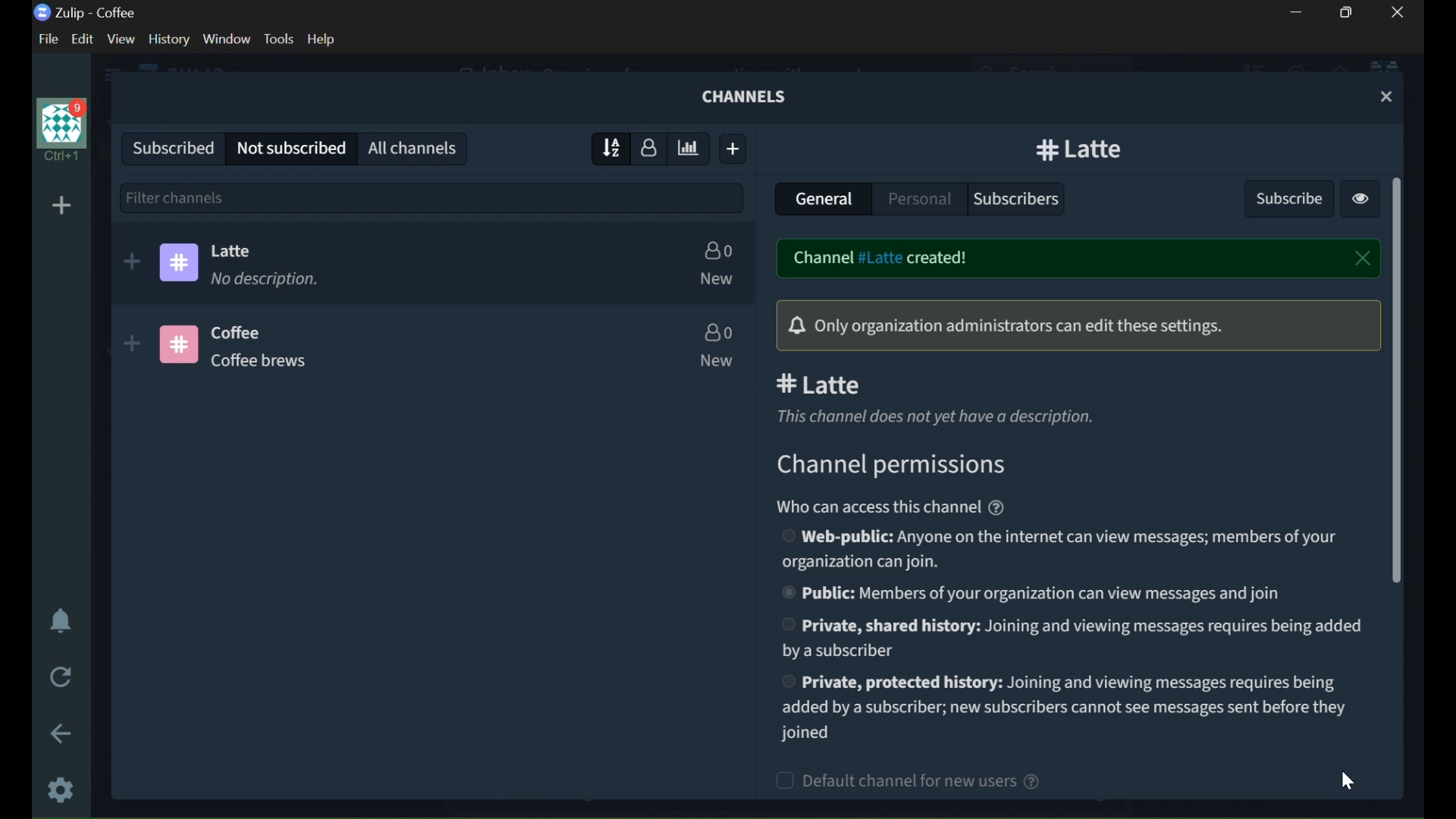 The height and width of the screenshot is (819, 1456). What do you see at coordinates (747, 96) in the screenshot?
I see `CHANNELS` at bounding box center [747, 96].